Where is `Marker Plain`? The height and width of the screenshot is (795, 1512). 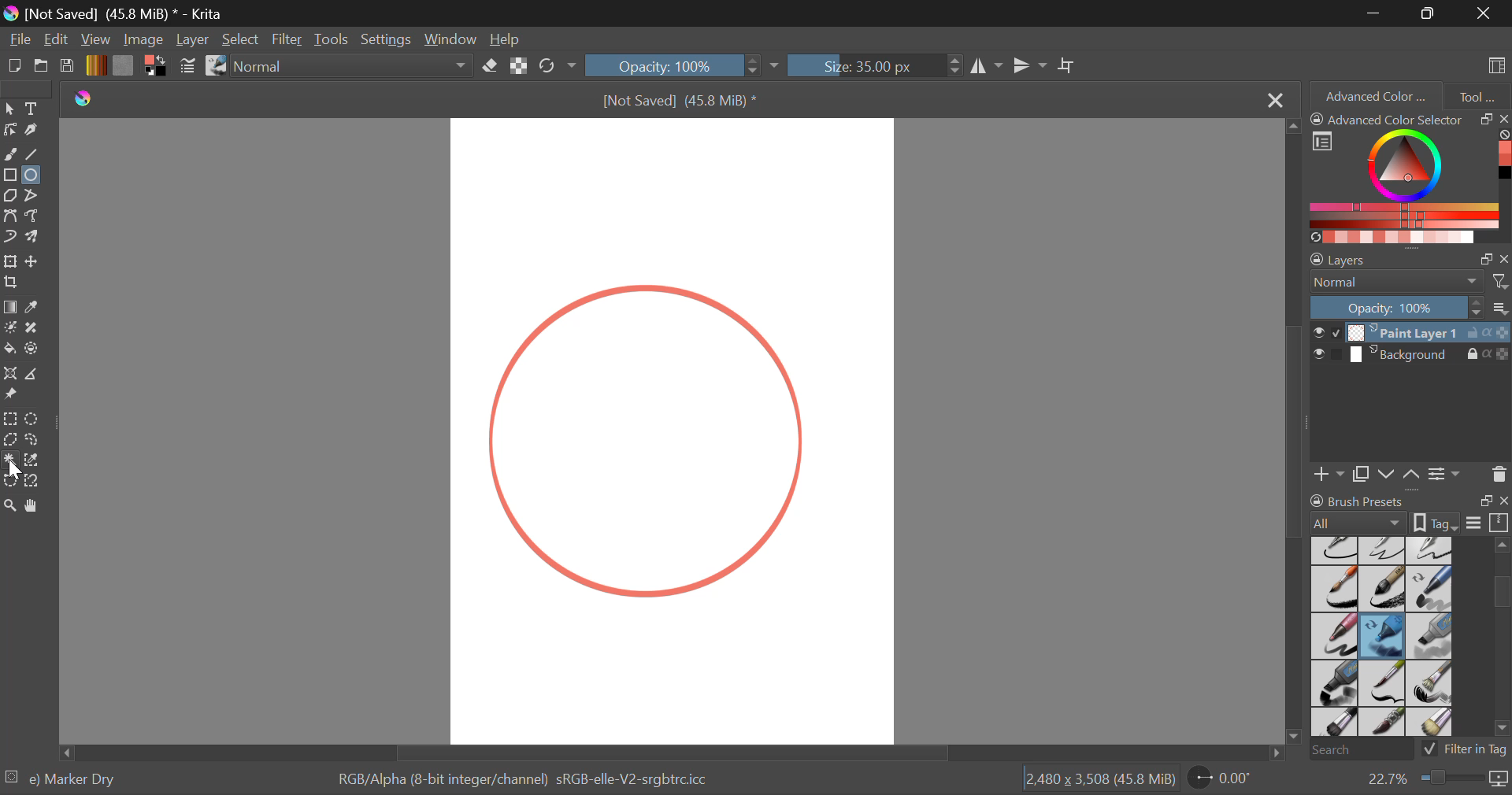
Marker Plain is located at coordinates (1334, 684).